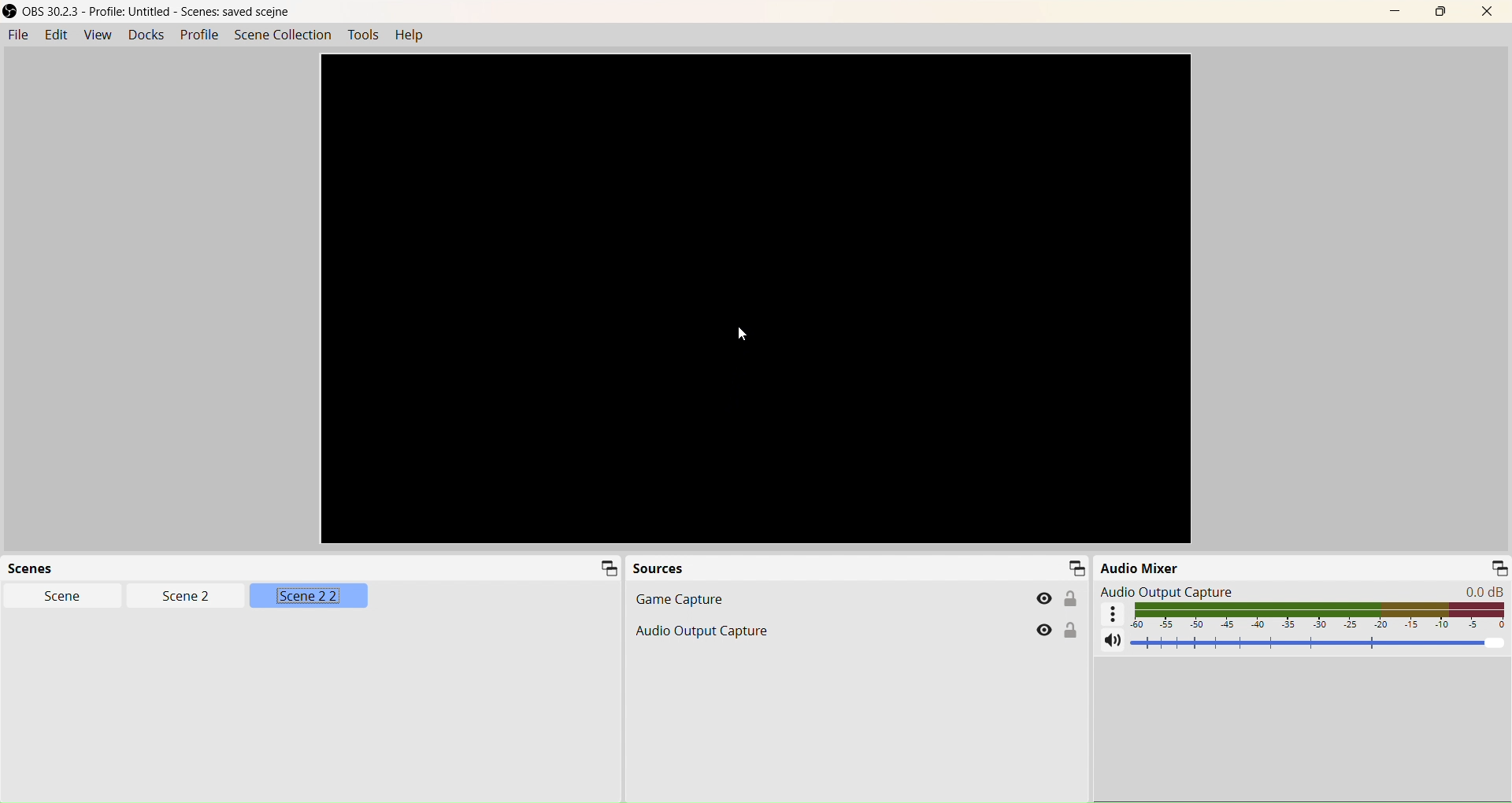 The height and width of the screenshot is (803, 1512). I want to click on Eye, so click(1046, 598).